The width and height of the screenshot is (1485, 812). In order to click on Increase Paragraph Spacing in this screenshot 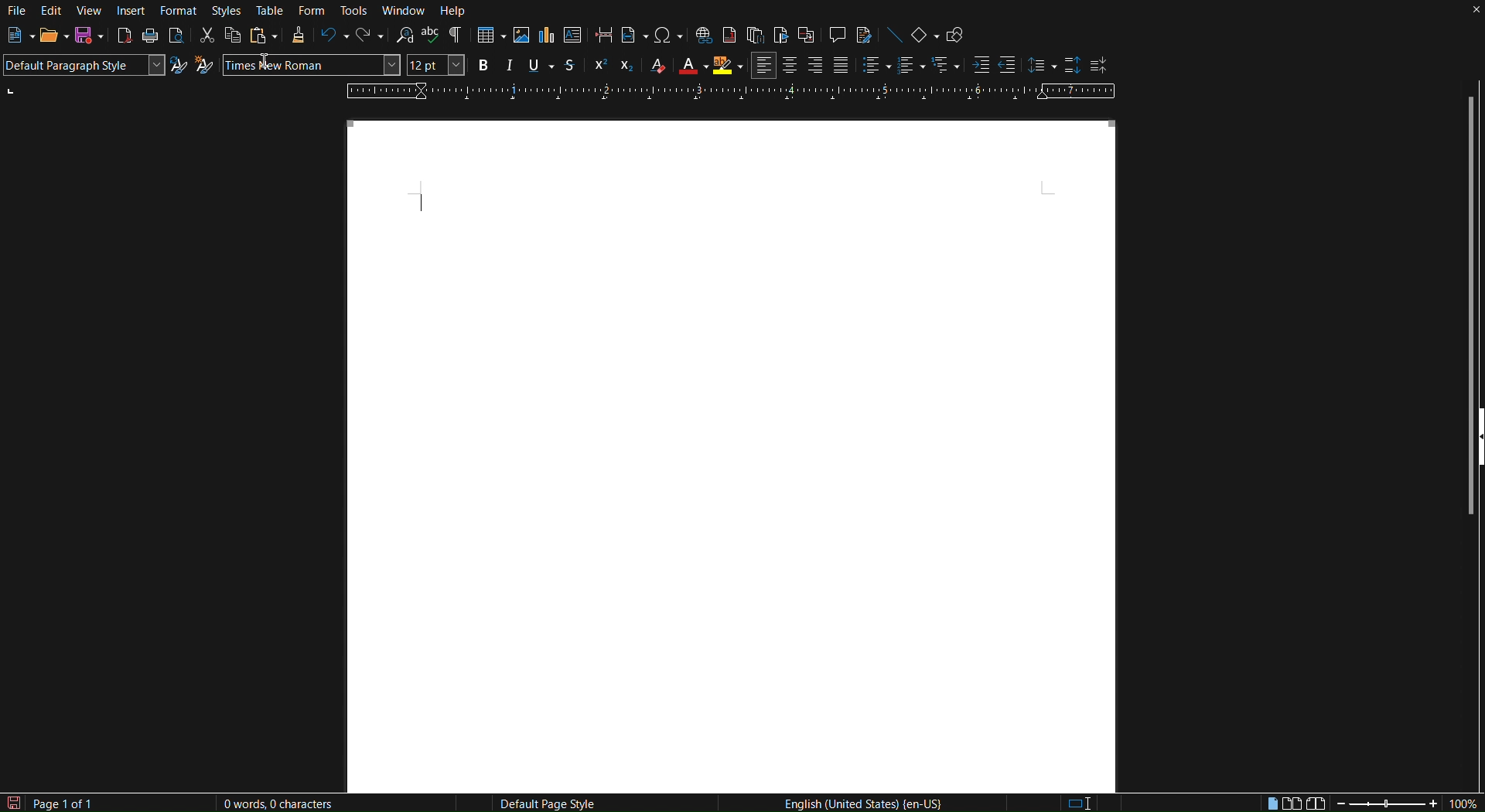, I will do `click(1074, 67)`.